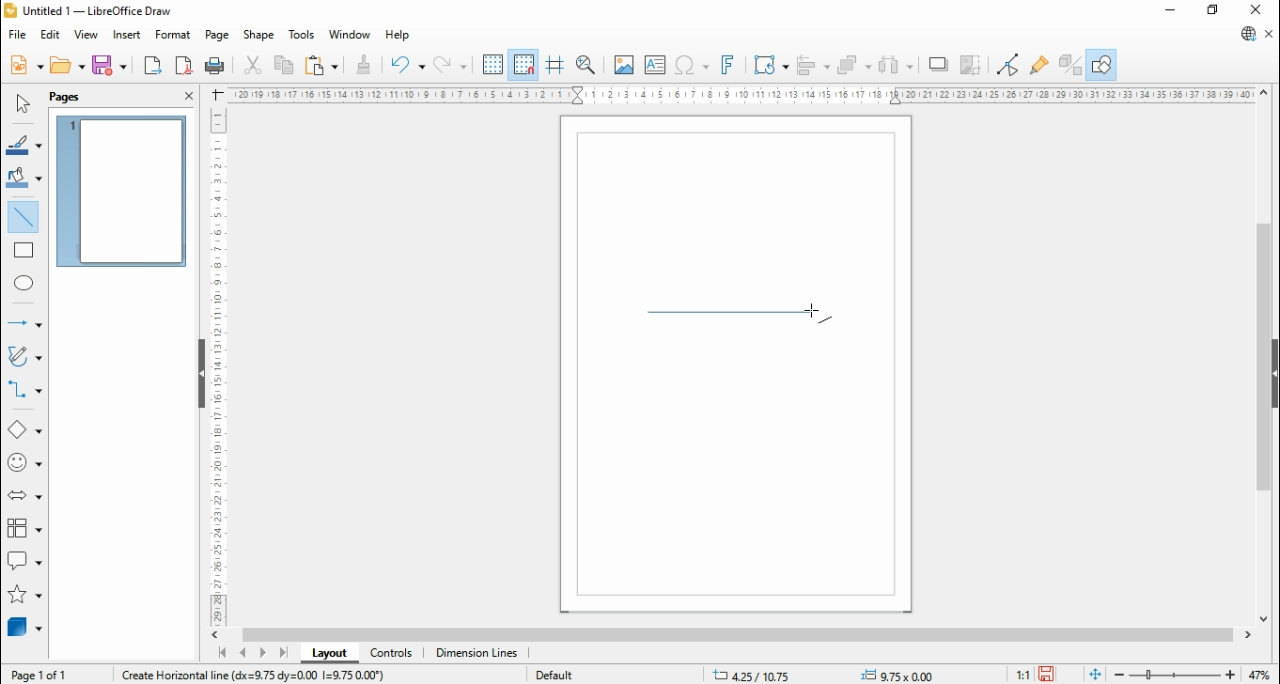 Image resolution: width=1280 pixels, height=684 pixels. I want to click on last page, so click(284, 652).